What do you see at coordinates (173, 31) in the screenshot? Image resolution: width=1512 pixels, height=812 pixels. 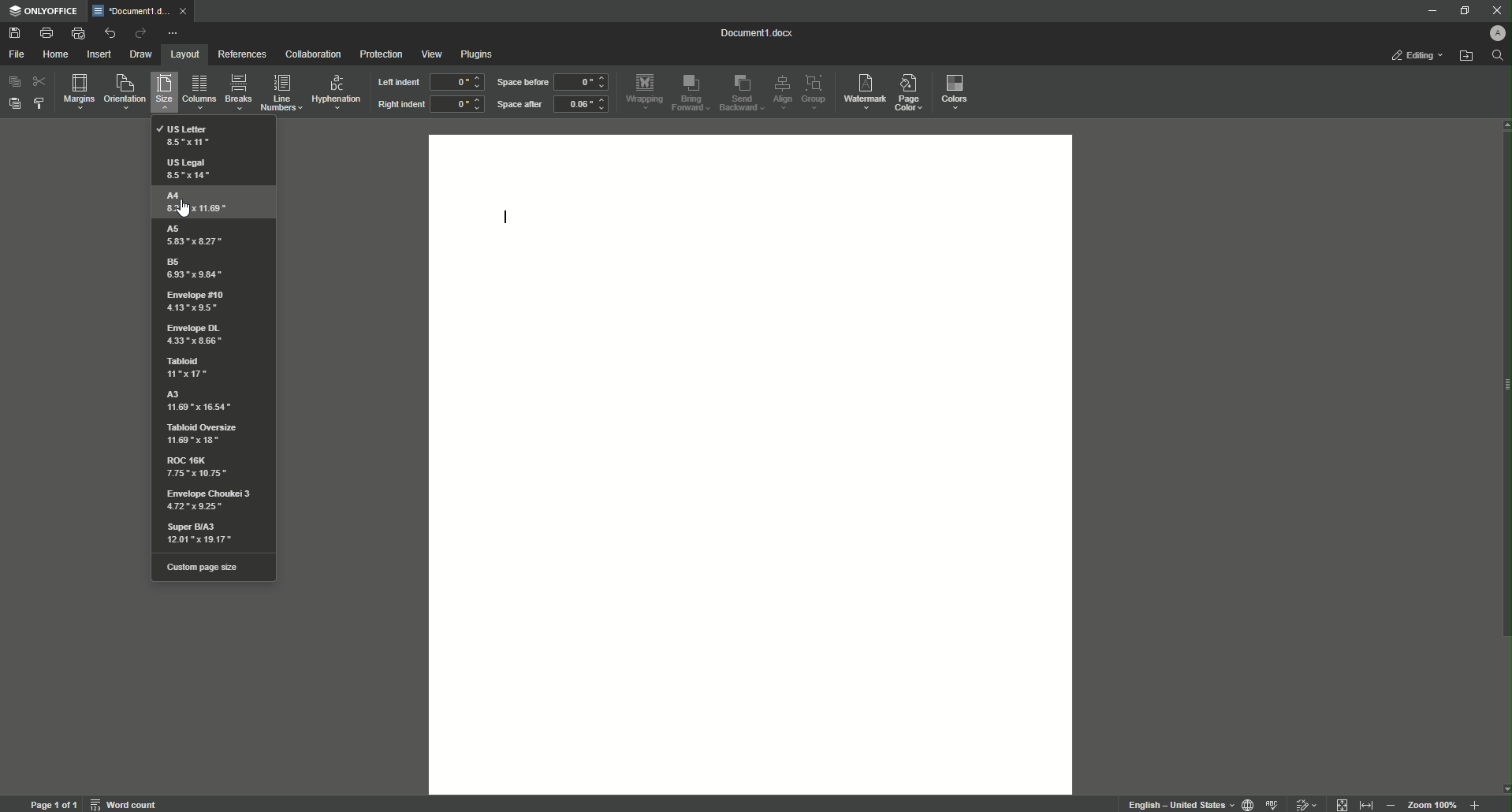 I see `More Actions` at bounding box center [173, 31].